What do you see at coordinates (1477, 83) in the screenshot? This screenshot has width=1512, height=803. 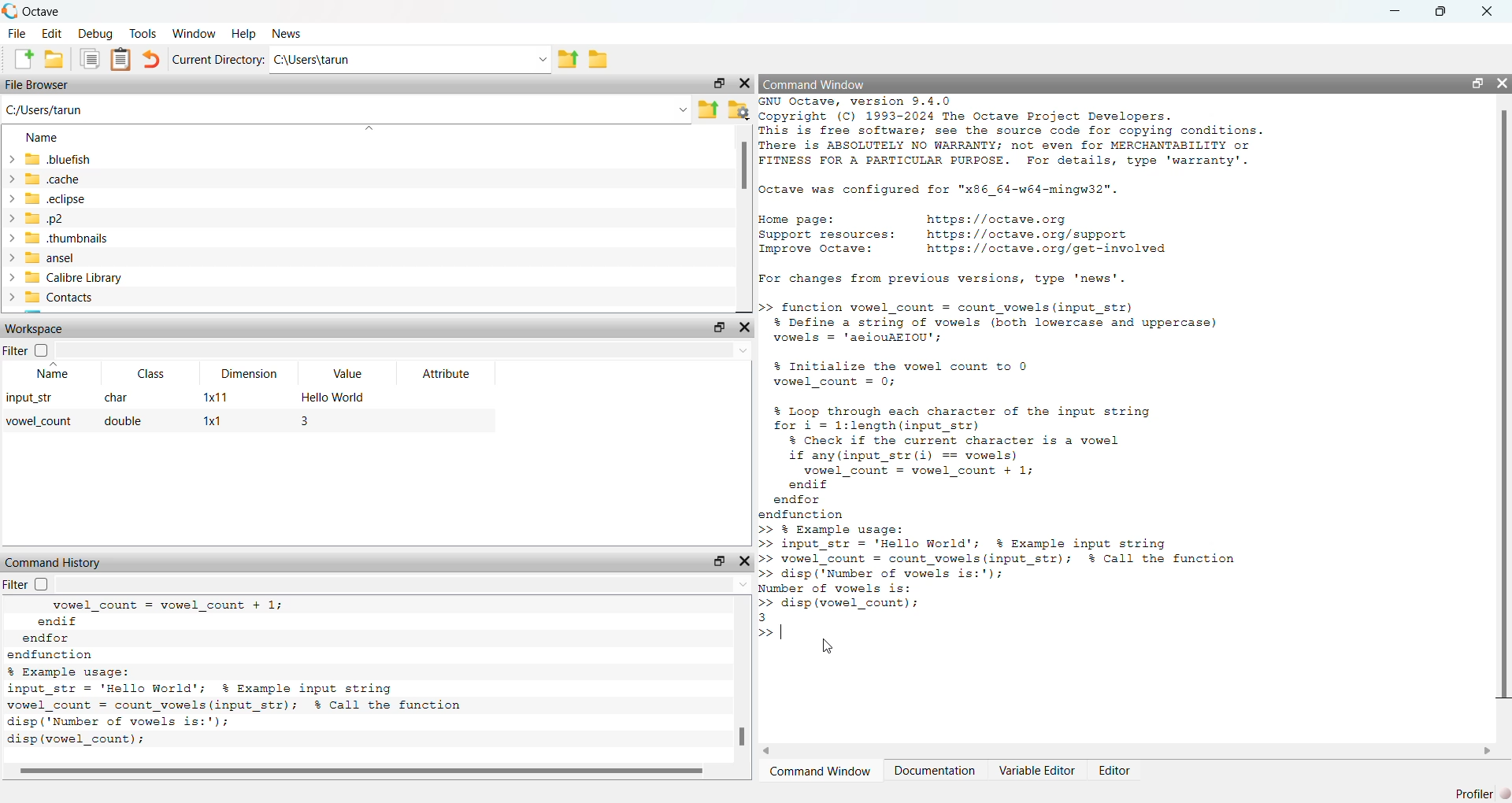 I see `restore` at bounding box center [1477, 83].